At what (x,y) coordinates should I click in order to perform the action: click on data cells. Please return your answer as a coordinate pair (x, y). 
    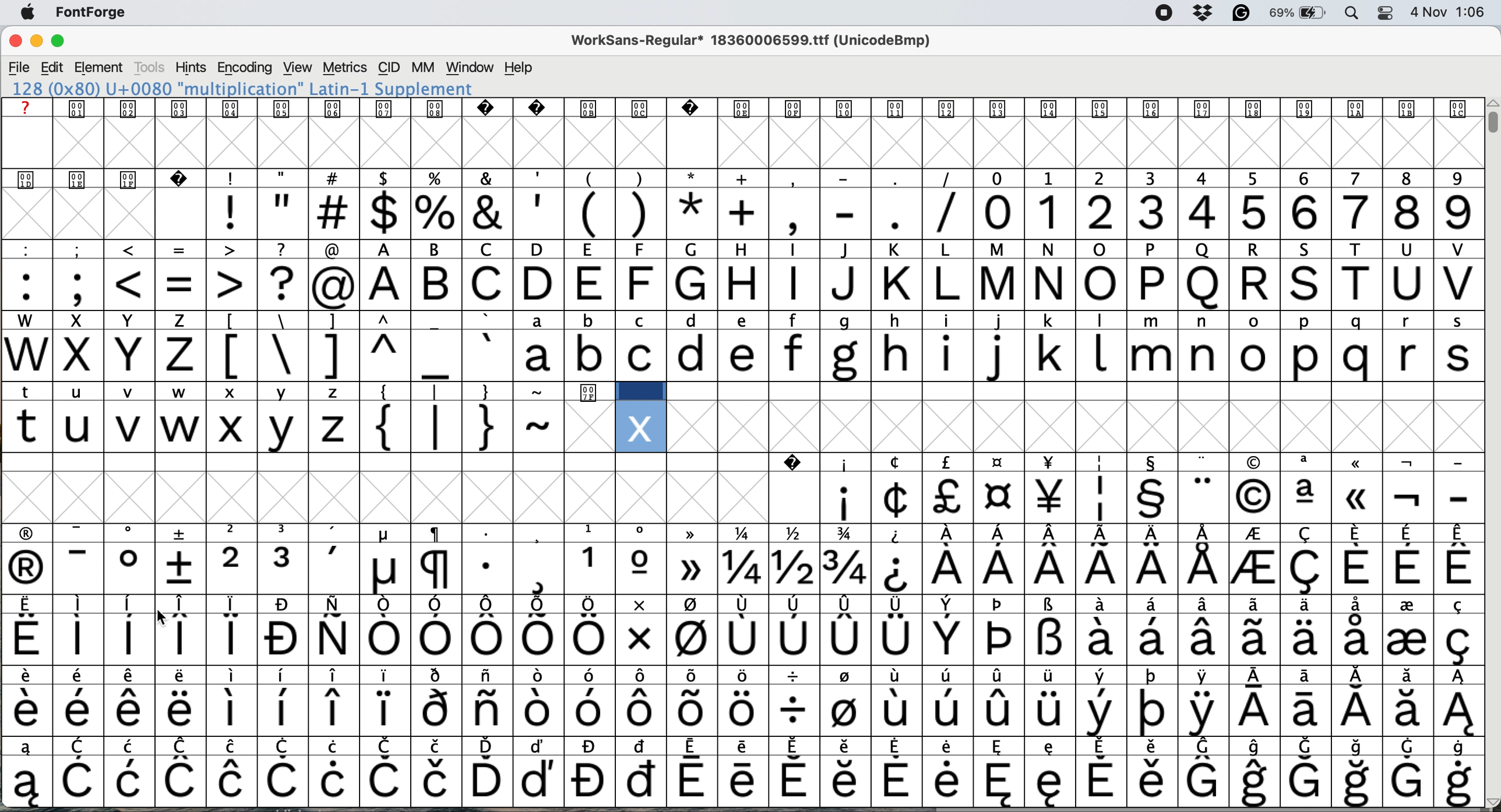
    Looking at the image, I should click on (1083, 391).